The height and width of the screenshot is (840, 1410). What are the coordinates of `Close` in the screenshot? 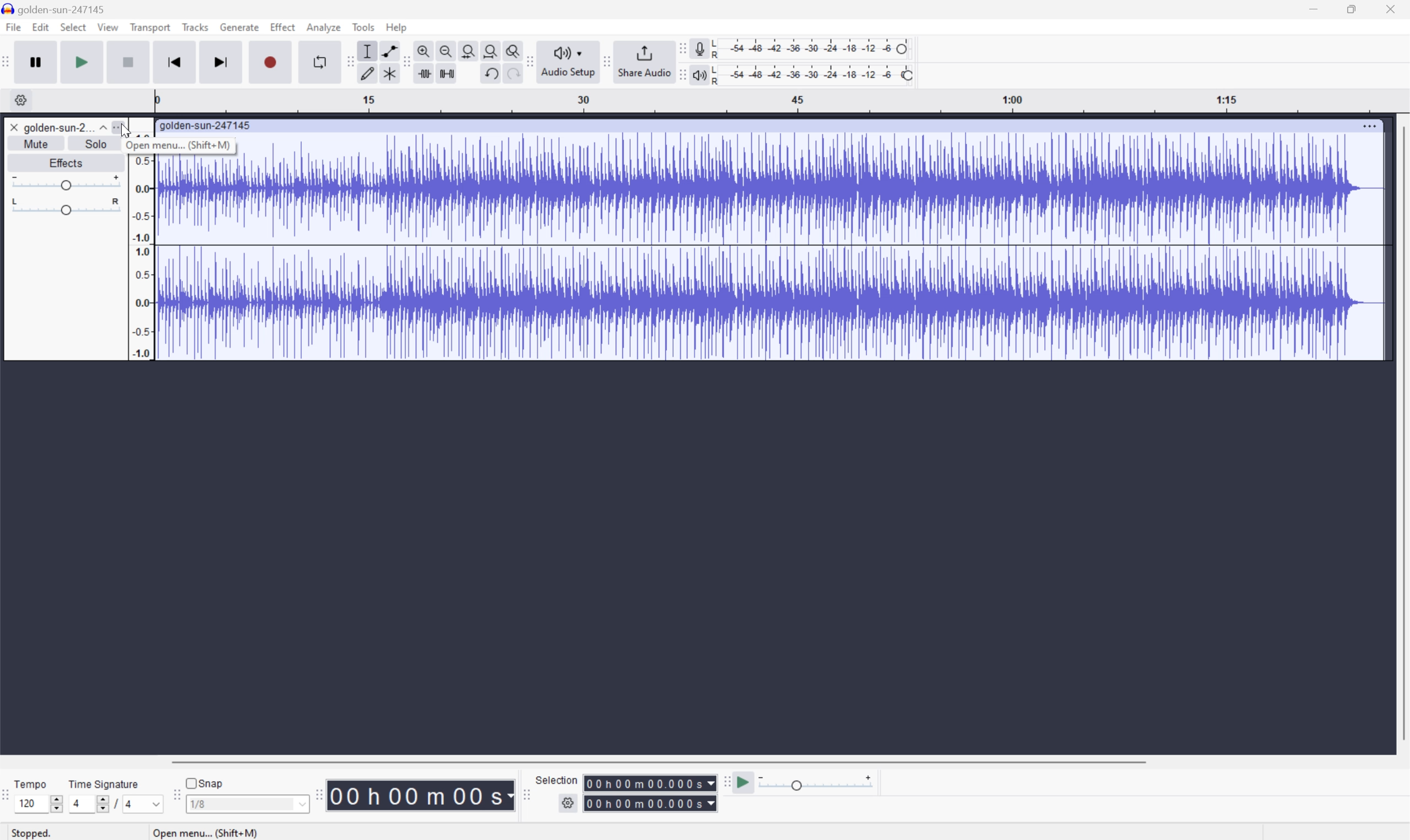 It's located at (14, 127).